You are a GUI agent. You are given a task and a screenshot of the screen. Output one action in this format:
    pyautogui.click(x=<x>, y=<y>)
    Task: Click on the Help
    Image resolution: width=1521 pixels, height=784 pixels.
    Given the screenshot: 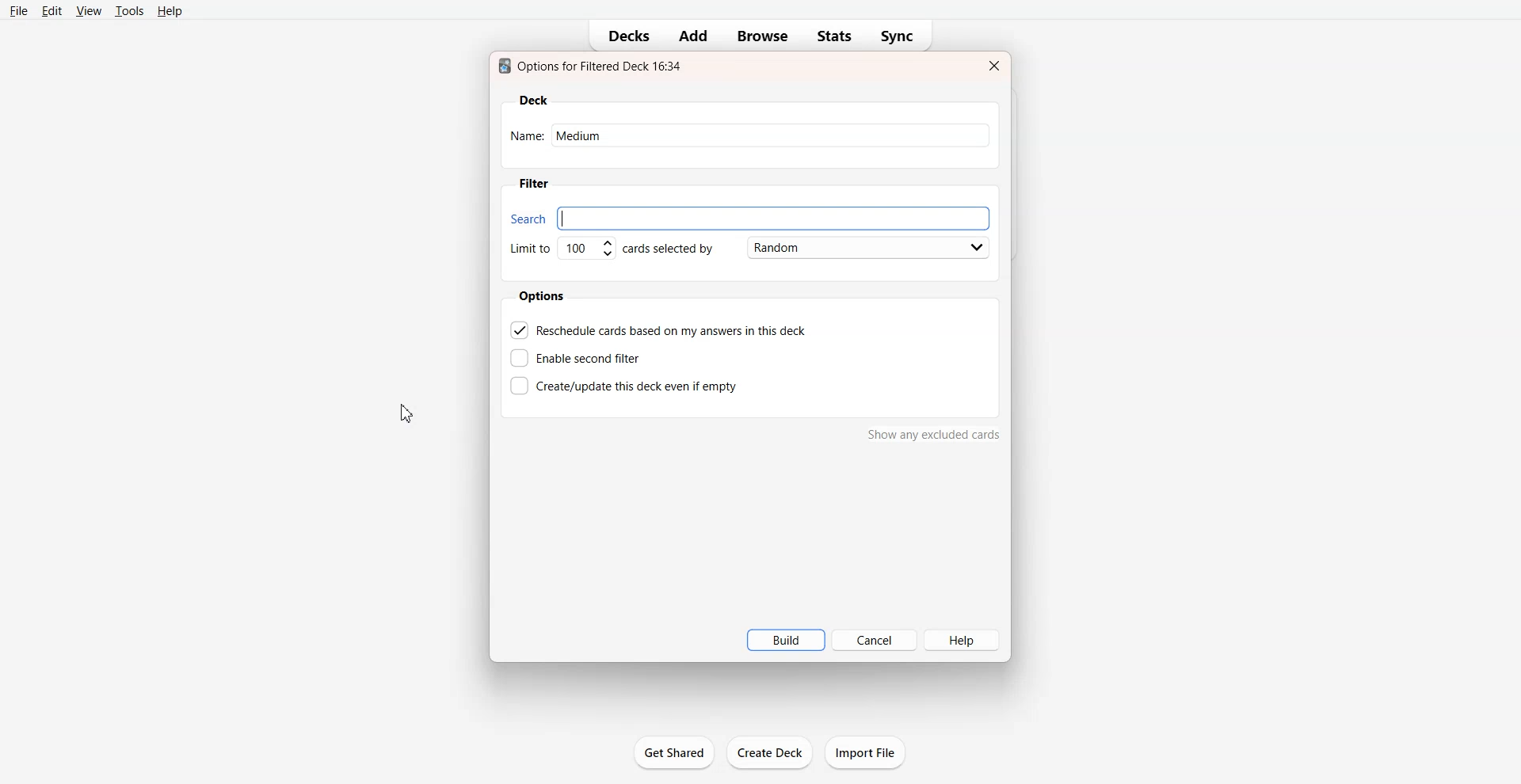 What is the action you would take?
    pyautogui.click(x=963, y=639)
    